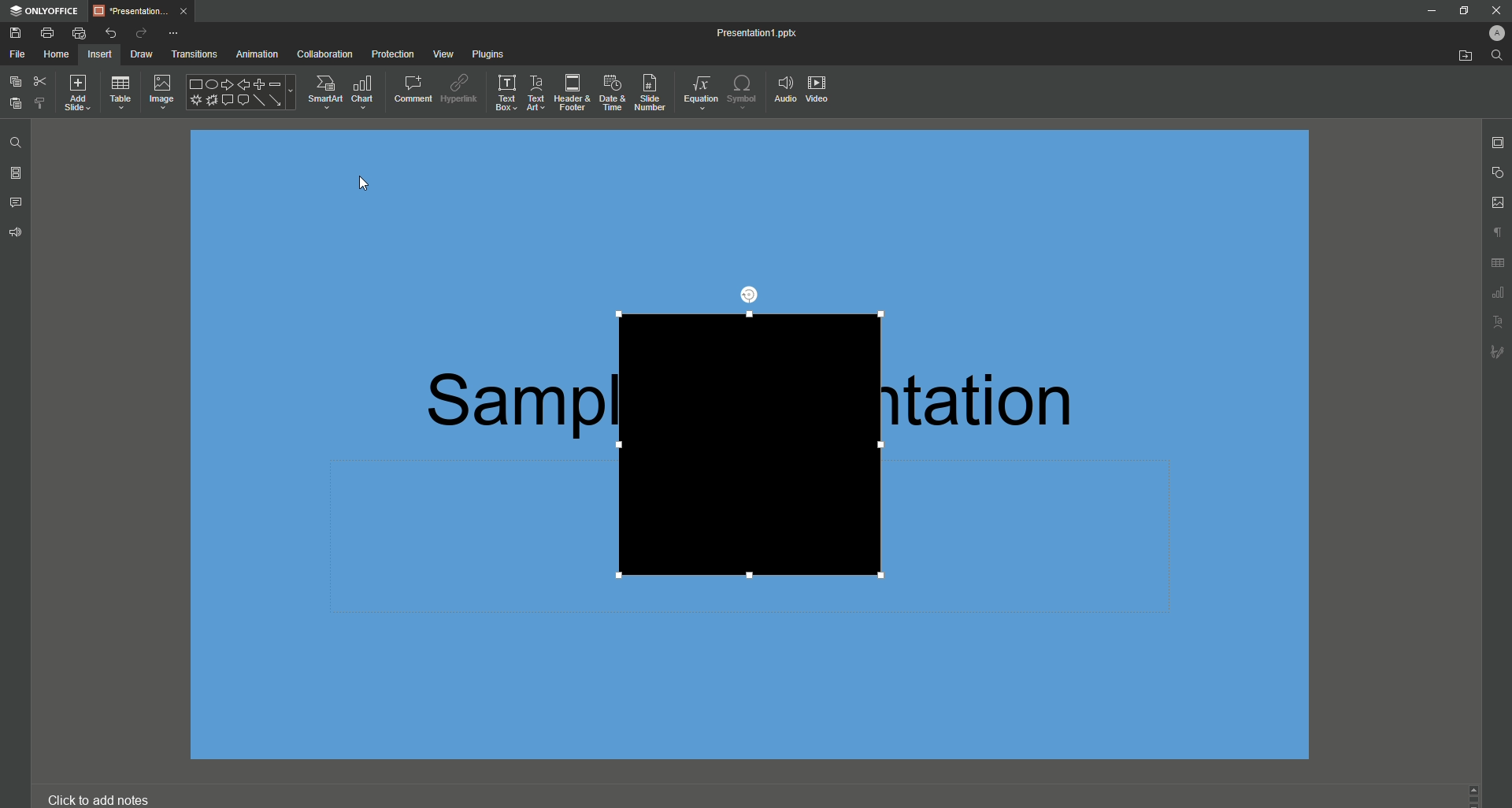 The width and height of the screenshot is (1512, 808). What do you see at coordinates (1462, 9) in the screenshot?
I see `Restore` at bounding box center [1462, 9].